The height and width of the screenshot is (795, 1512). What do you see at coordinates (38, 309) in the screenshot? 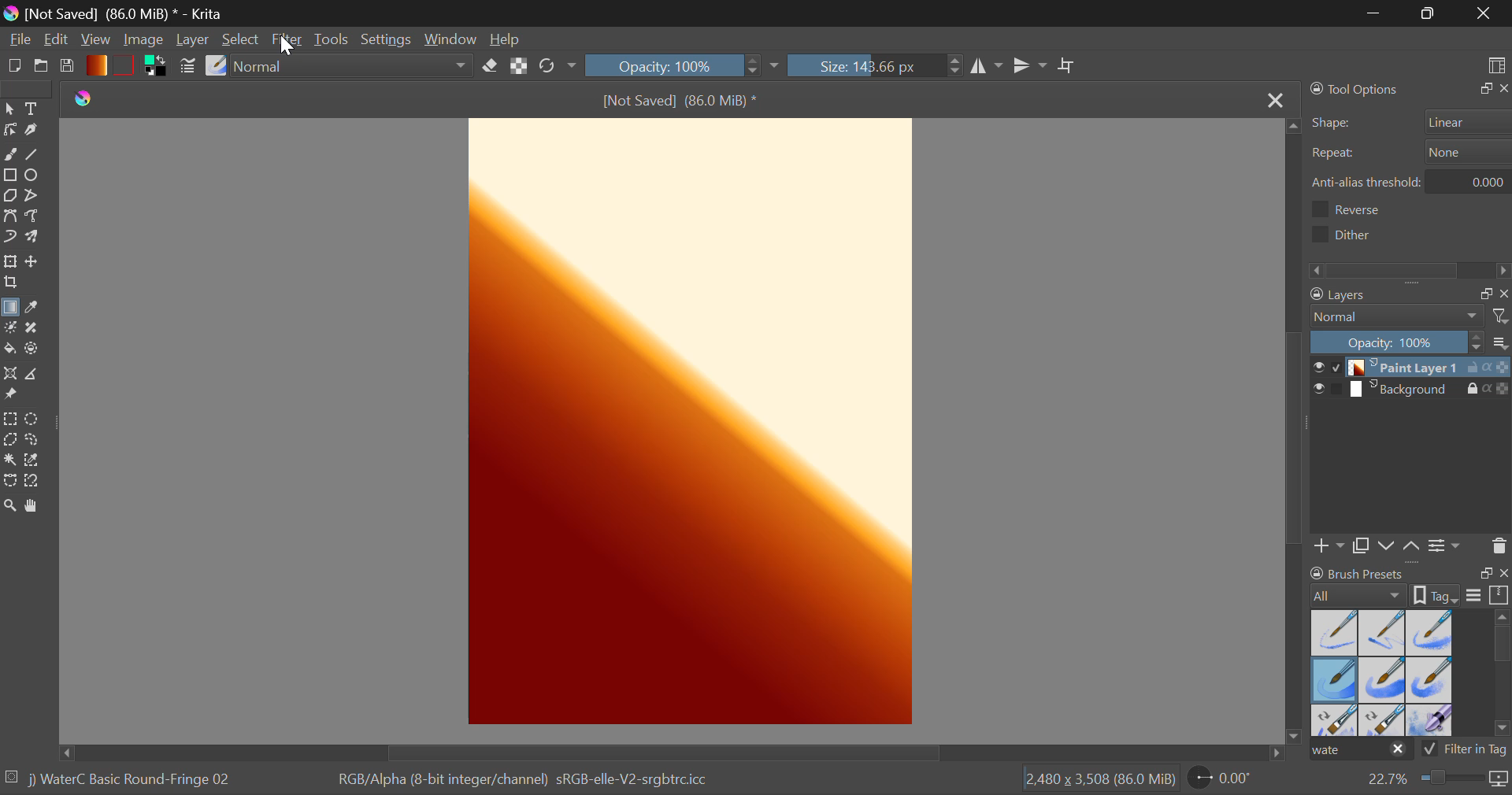
I see `Eyedropper` at bounding box center [38, 309].